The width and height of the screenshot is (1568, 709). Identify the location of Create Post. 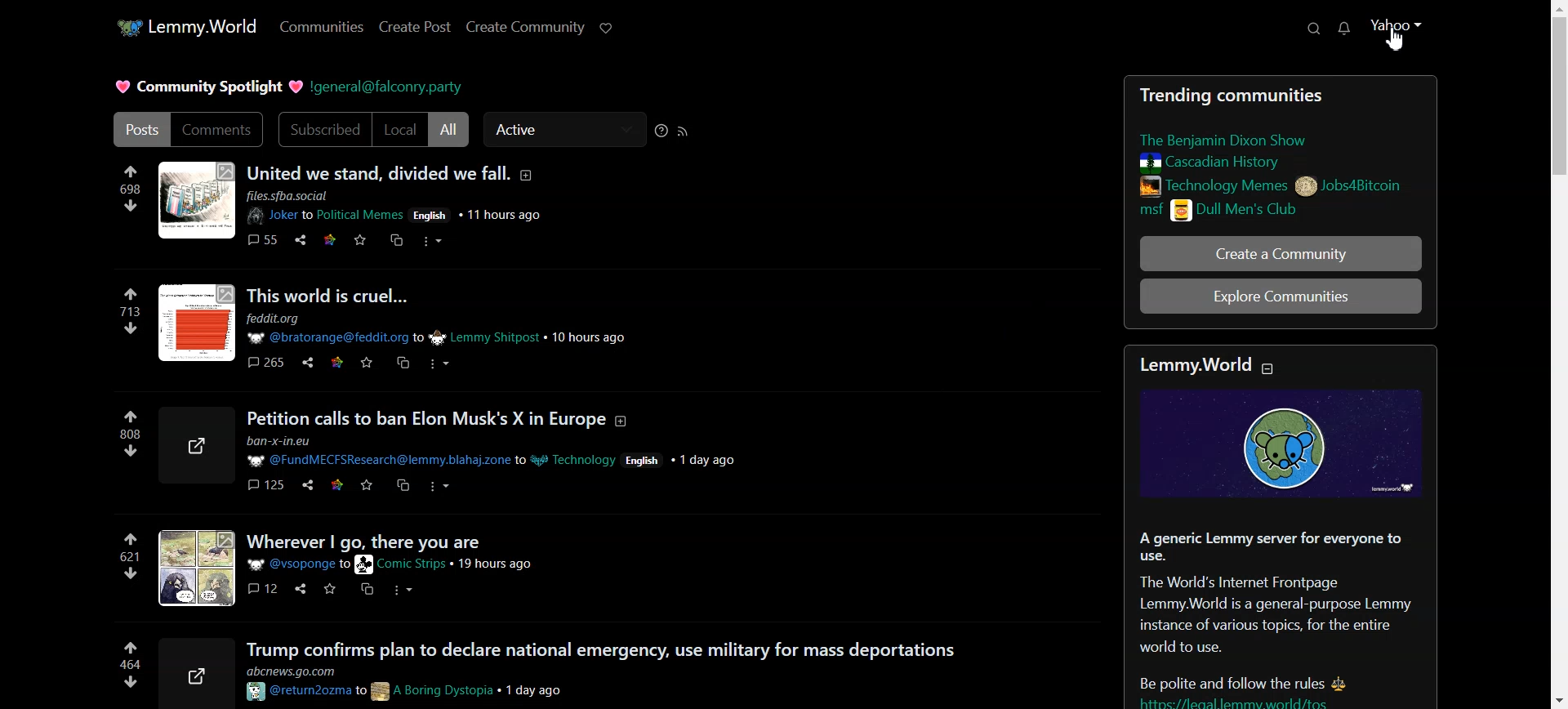
(416, 27).